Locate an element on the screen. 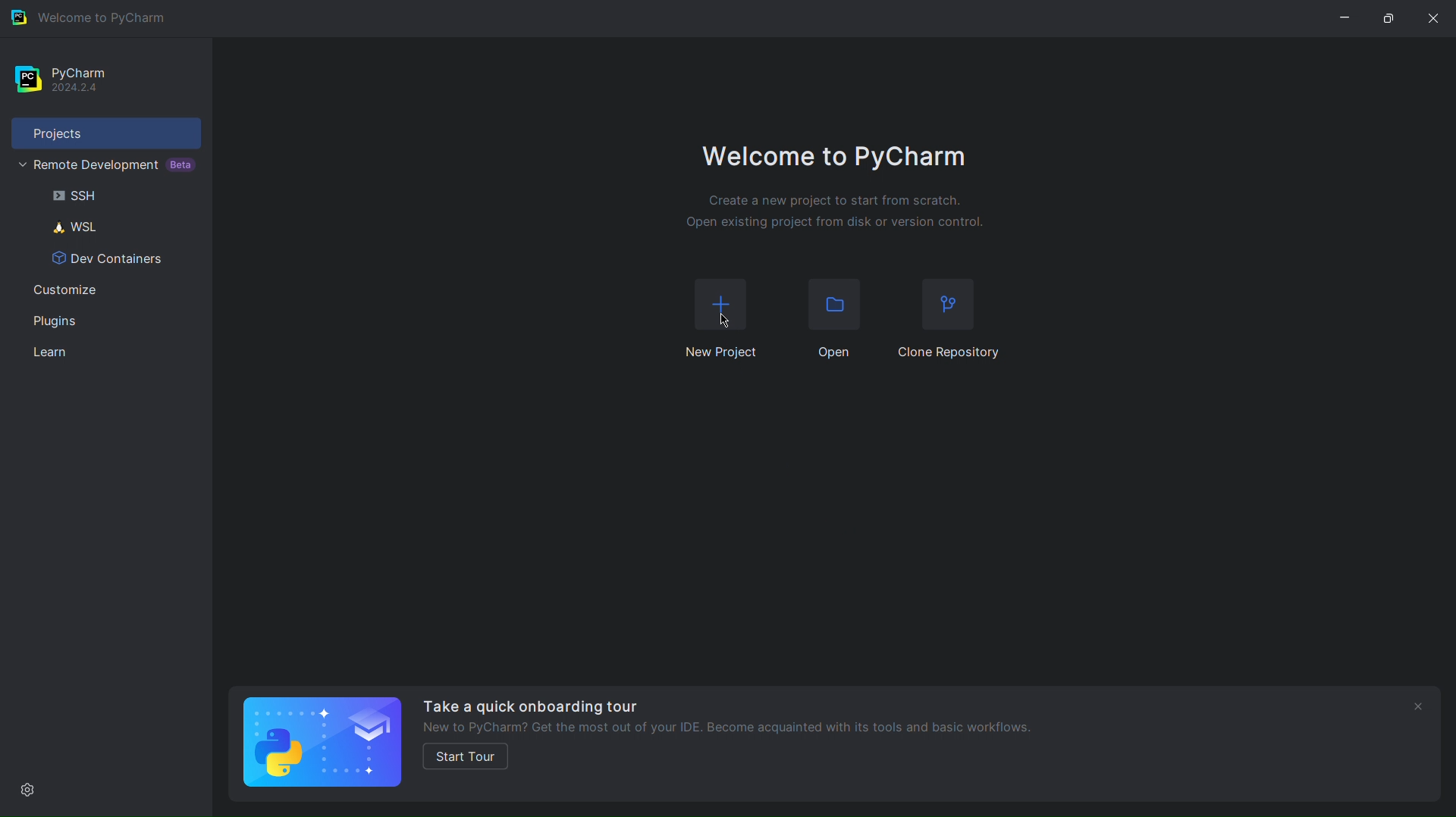  Remote Development is located at coordinates (104, 170).